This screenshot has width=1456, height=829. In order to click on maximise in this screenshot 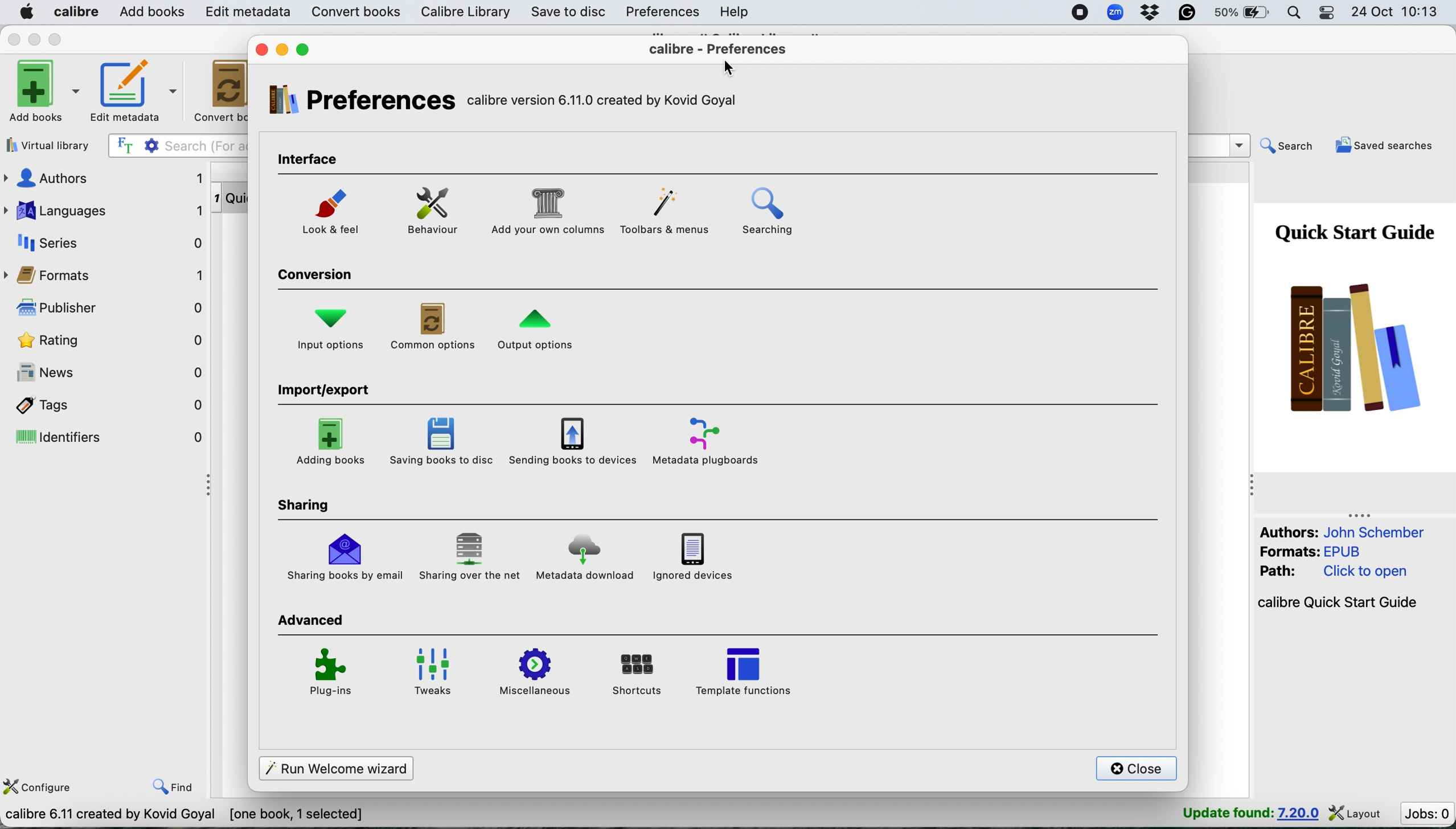, I will do `click(60, 39)`.